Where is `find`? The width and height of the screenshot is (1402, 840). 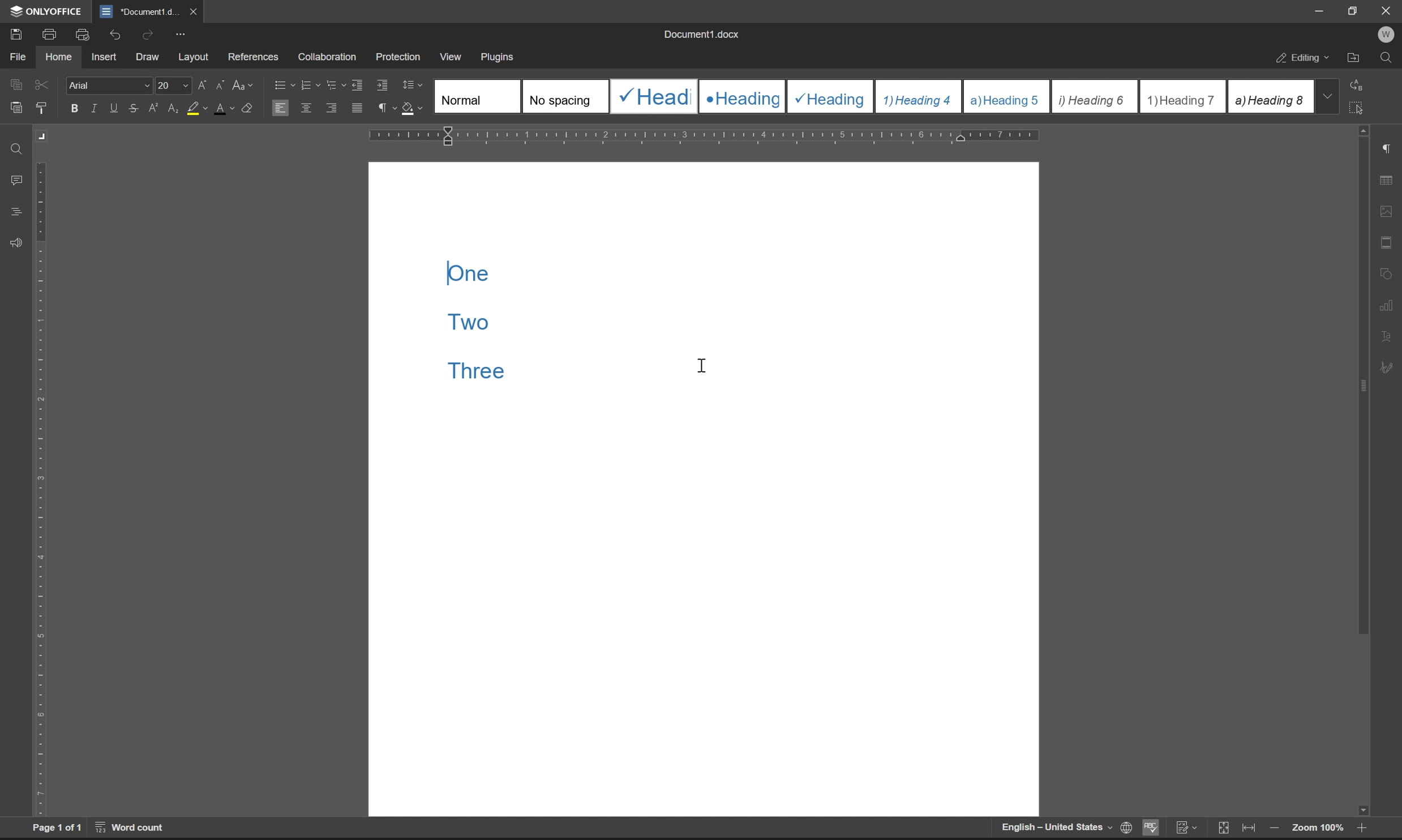 find is located at coordinates (1386, 58).